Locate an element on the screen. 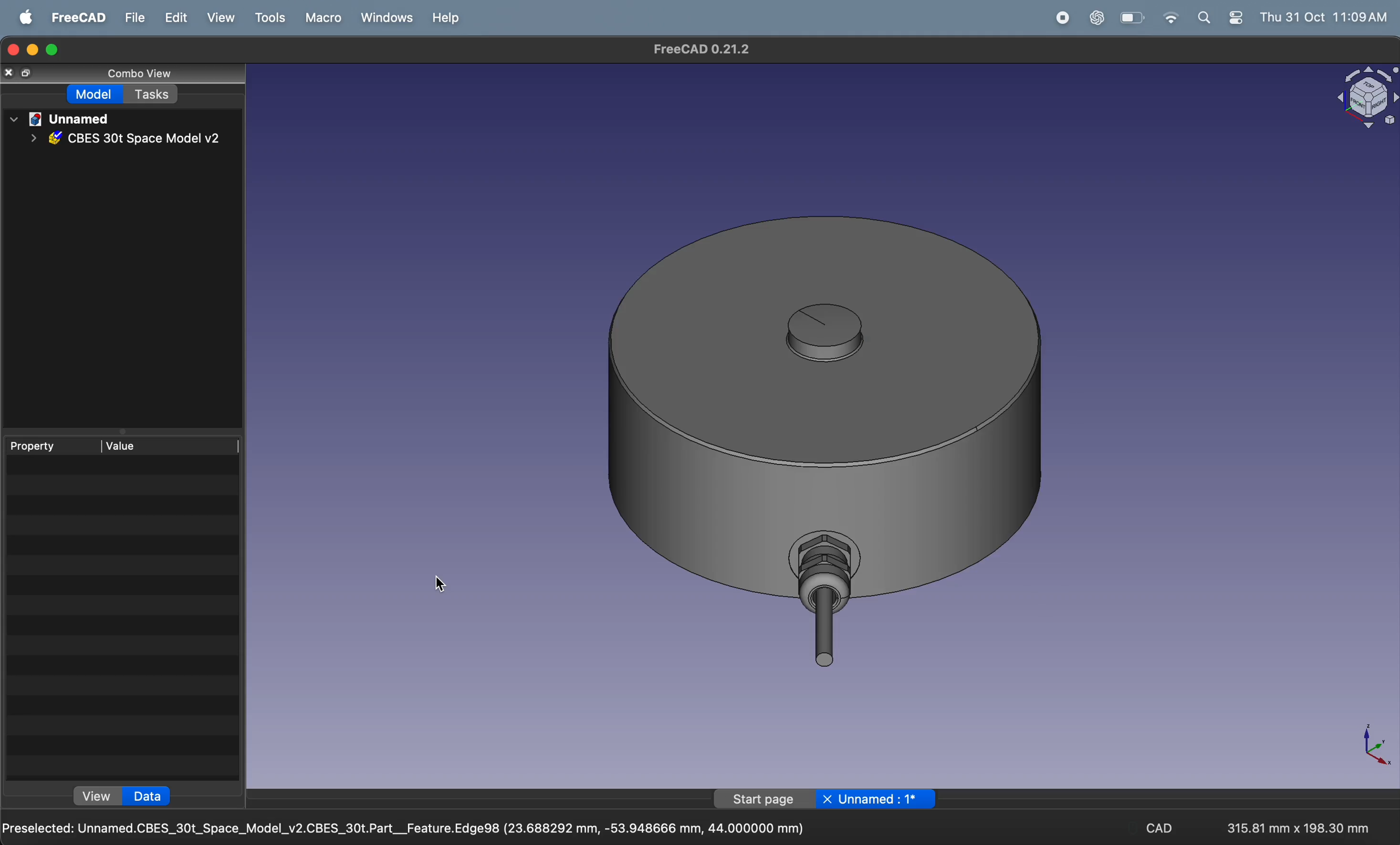  record is located at coordinates (1060, 18).